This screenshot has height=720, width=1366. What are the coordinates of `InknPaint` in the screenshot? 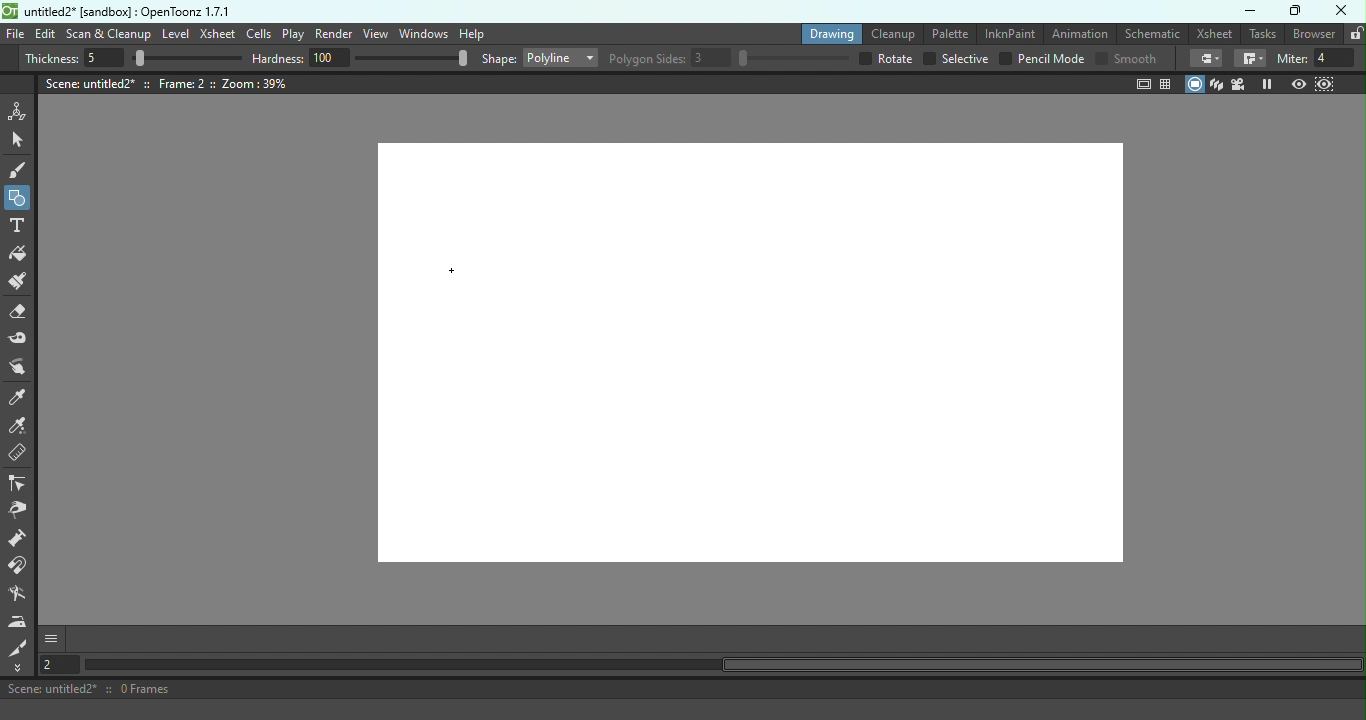 It's located at (1009, 32).